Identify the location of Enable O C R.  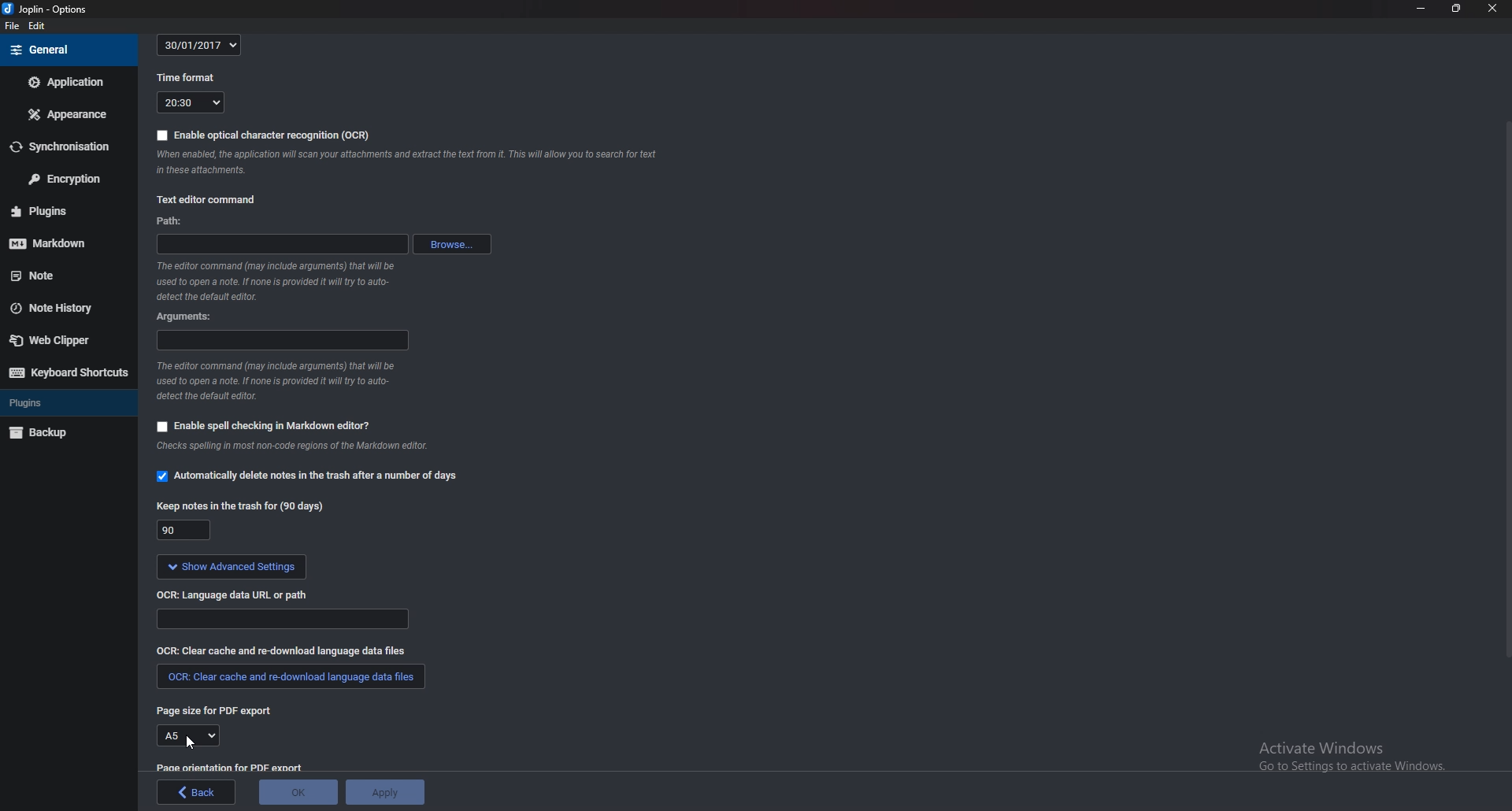
(261, 136).